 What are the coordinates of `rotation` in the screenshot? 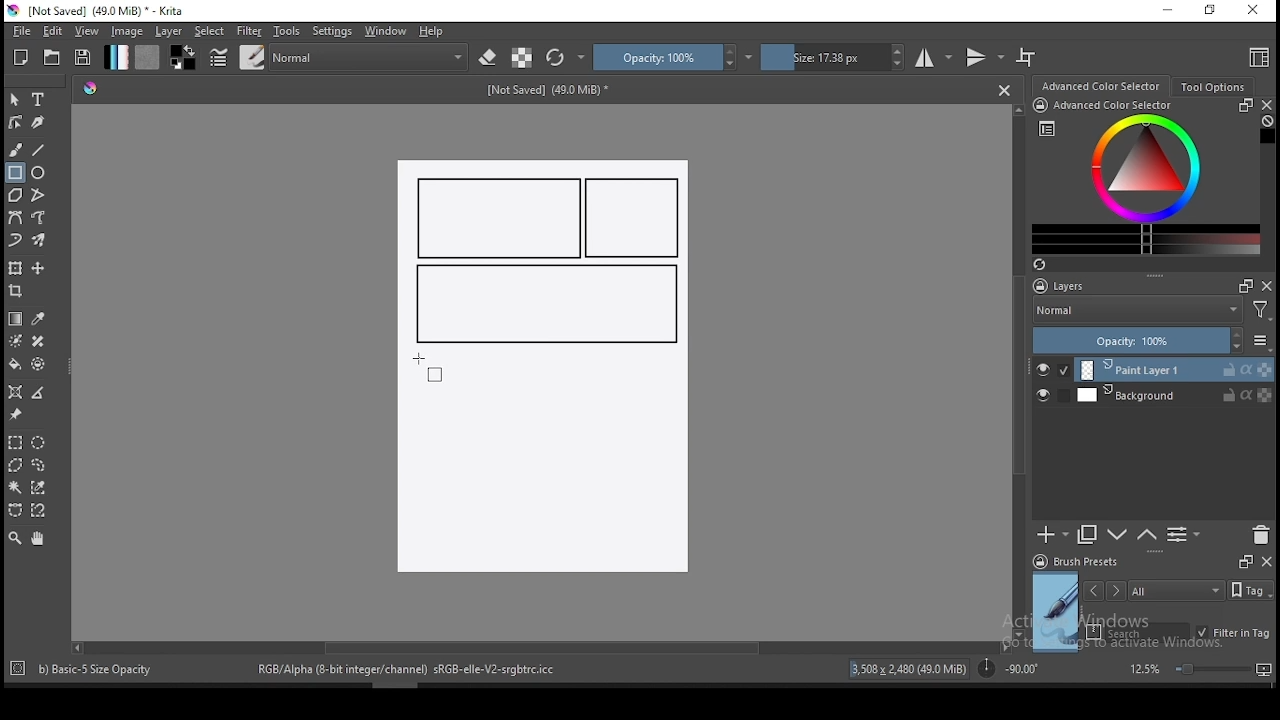 It's located at (1008, 667).